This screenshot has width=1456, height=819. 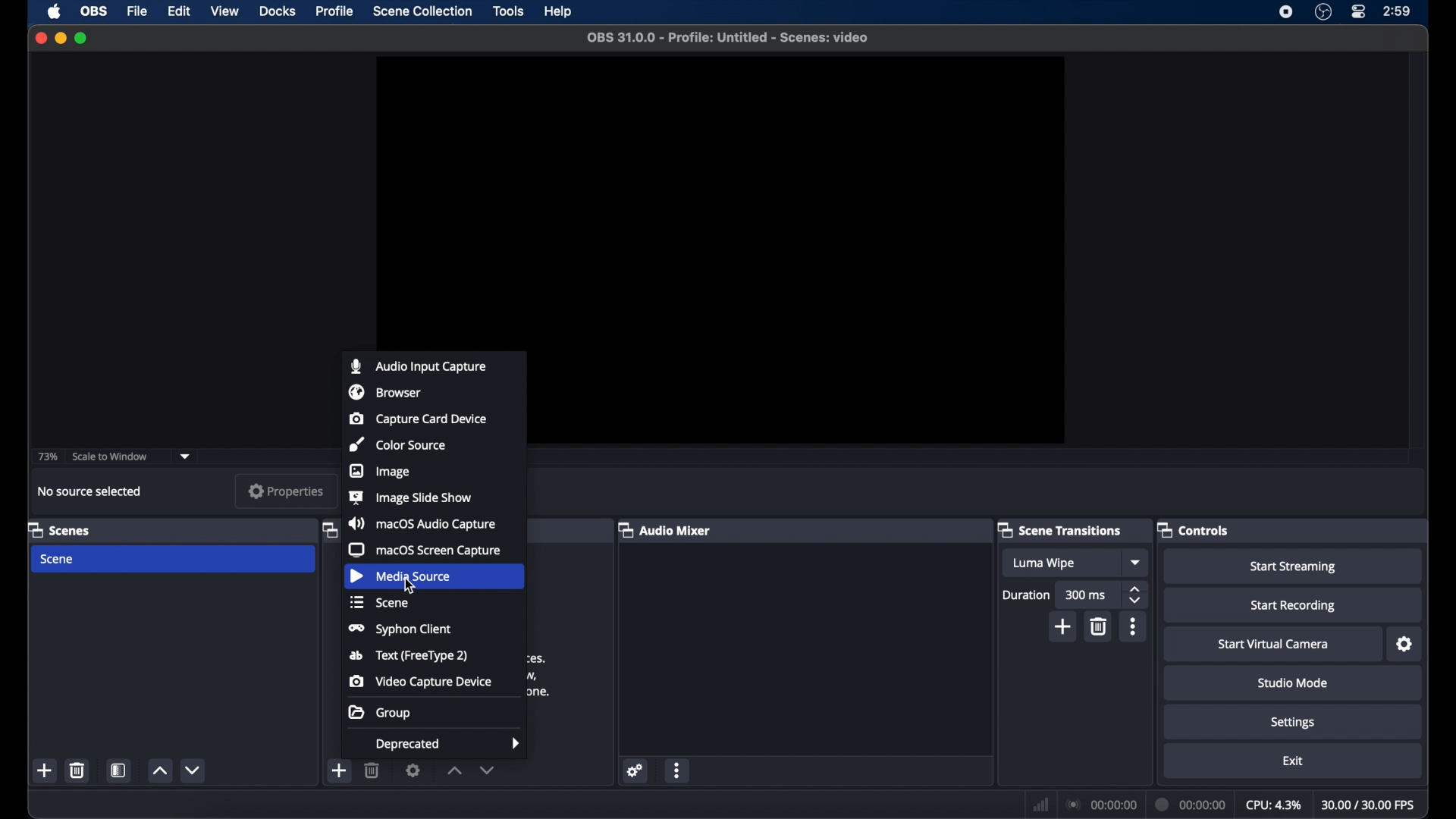 I want to click on media source, so click(x=400, y=576).